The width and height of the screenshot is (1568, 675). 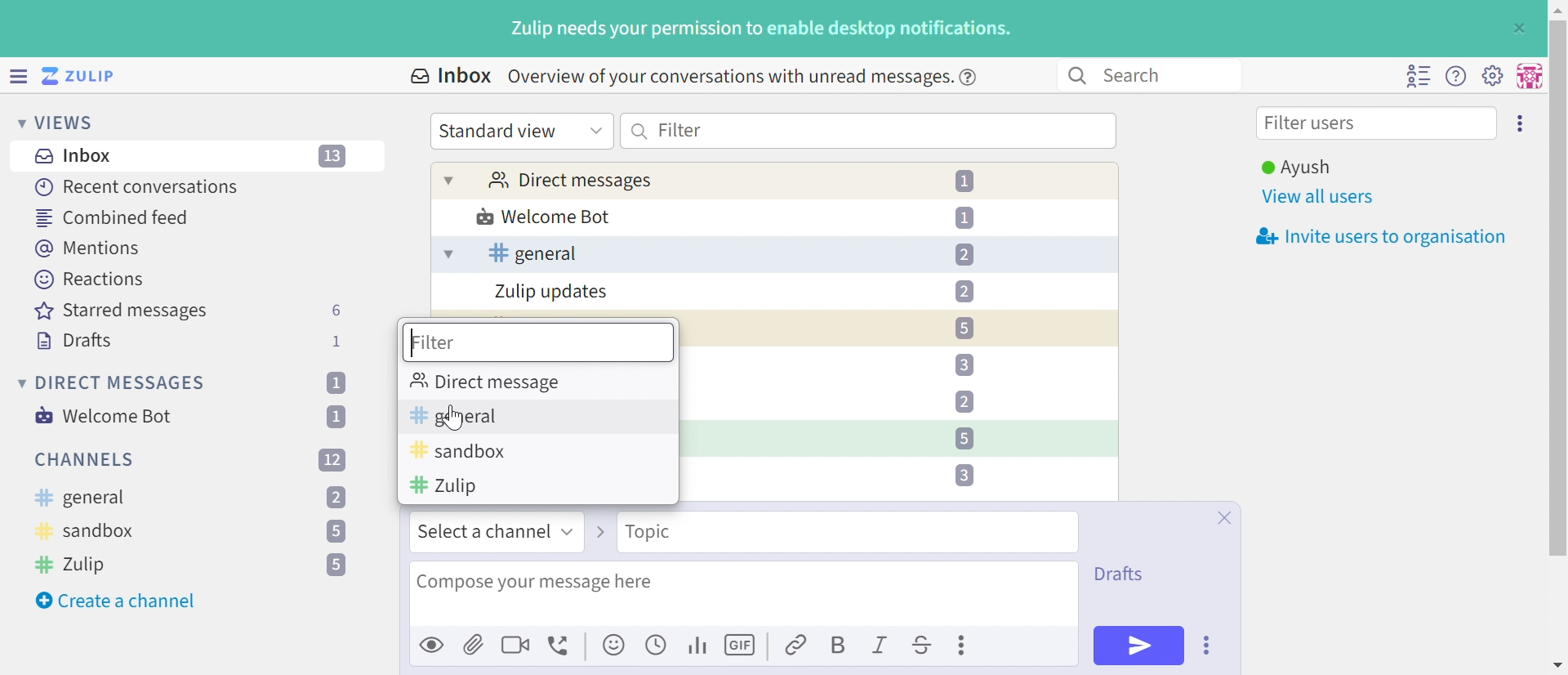 I want to click on Close, so click(x=1223, y=518).